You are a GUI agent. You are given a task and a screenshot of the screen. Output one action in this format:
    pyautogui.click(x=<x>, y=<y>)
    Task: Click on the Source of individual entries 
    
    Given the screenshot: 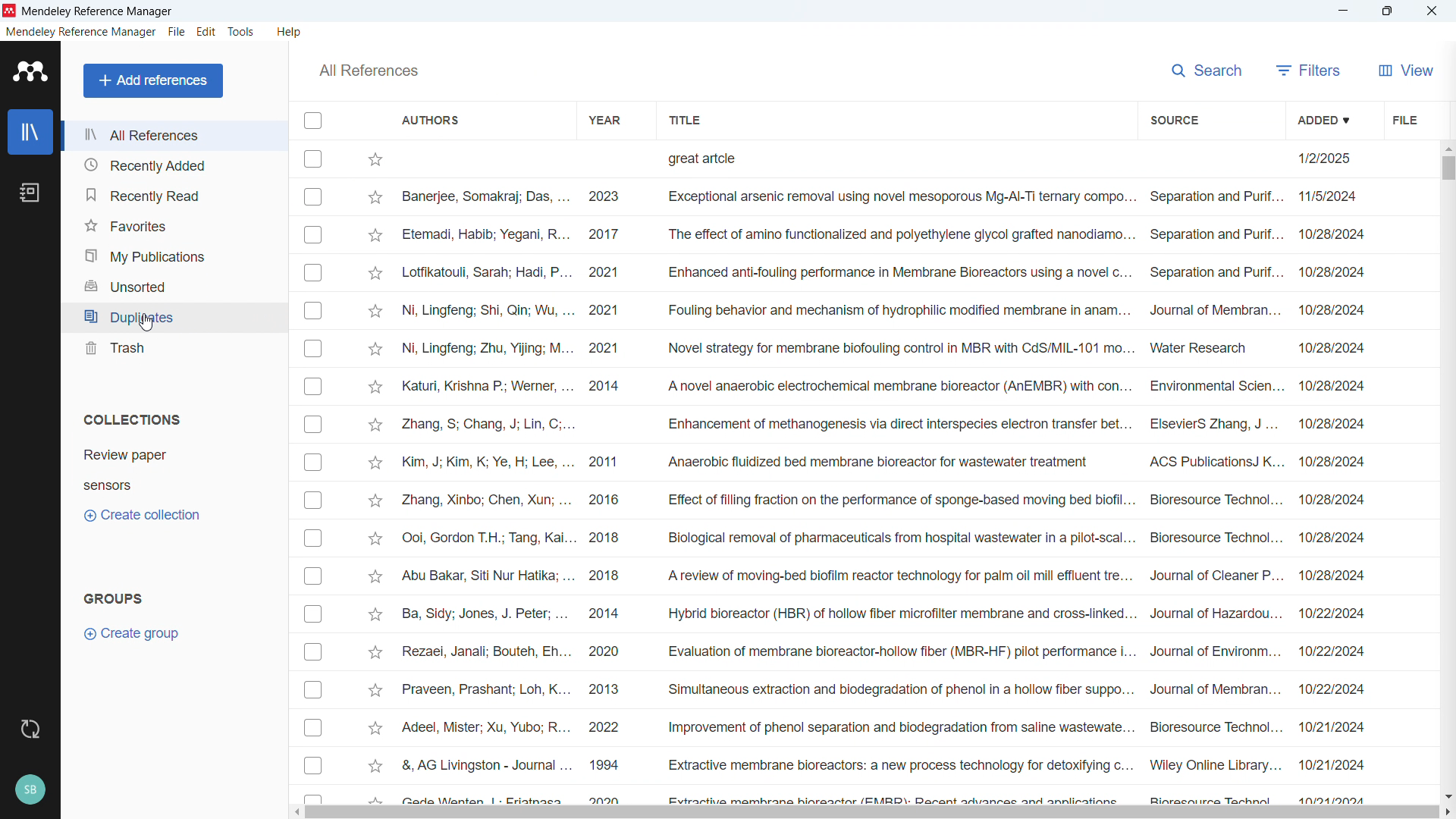 What is the action you would take?
    pyautogui.click(x=1213, y=475)
    